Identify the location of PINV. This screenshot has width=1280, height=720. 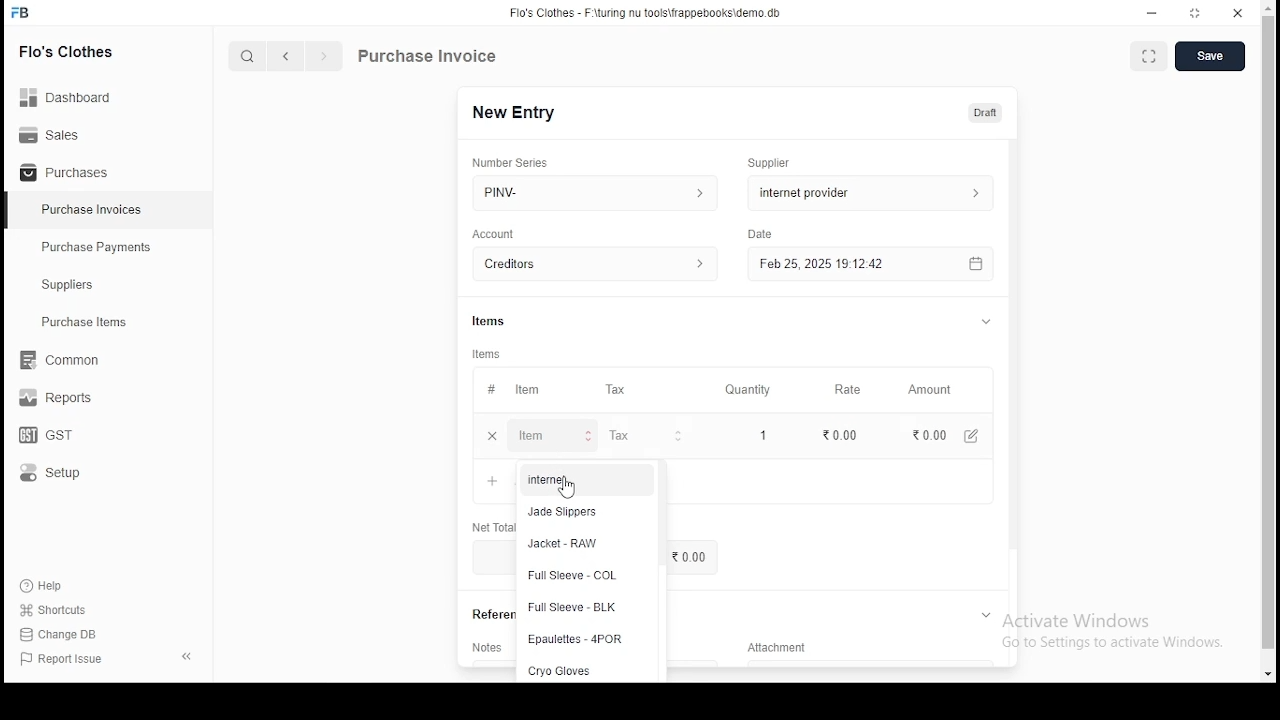
(596, 190).